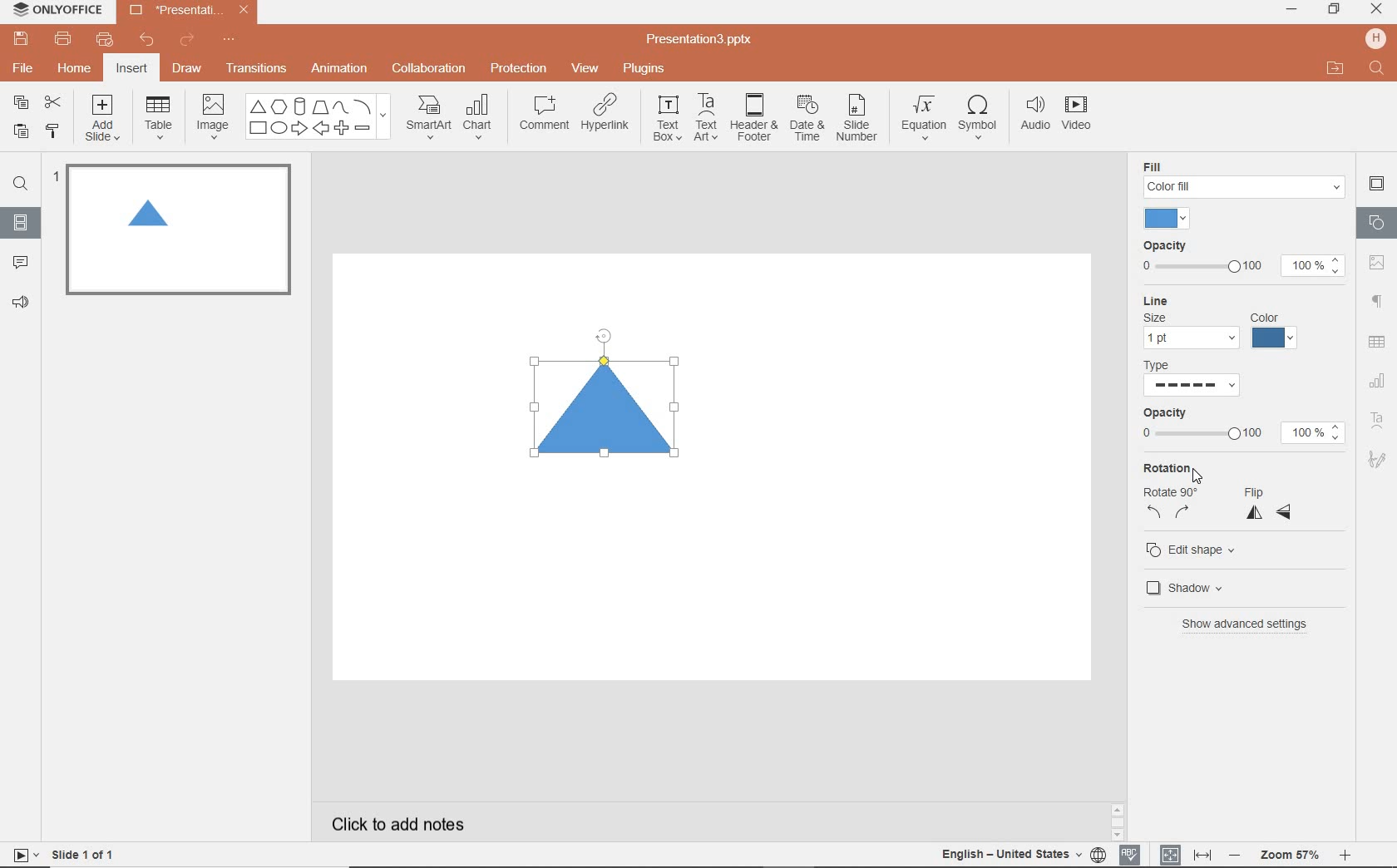  I want to click on COMMENT, so click(543, 117).